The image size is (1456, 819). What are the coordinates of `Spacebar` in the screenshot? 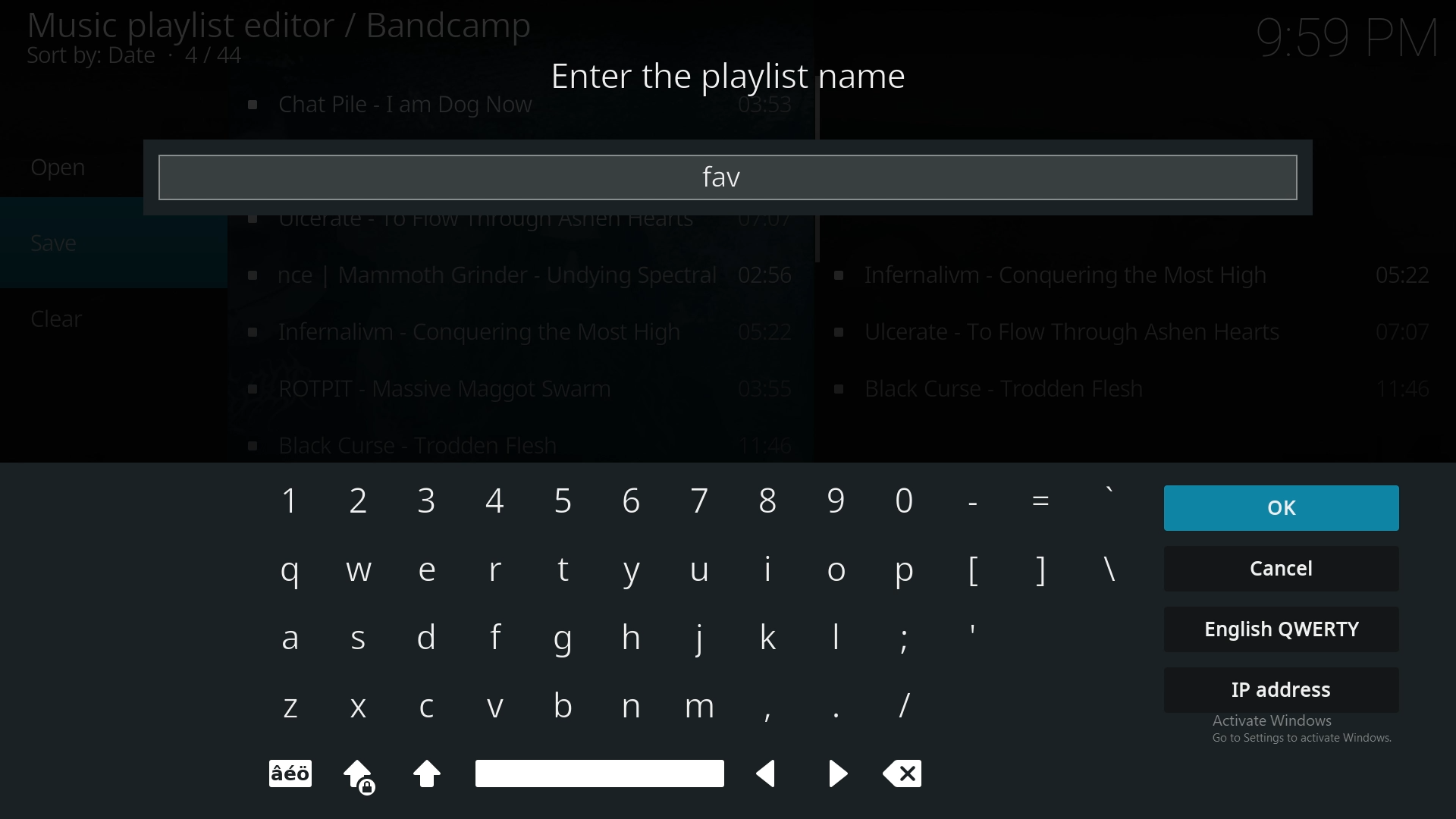 It's located at (600, 773).